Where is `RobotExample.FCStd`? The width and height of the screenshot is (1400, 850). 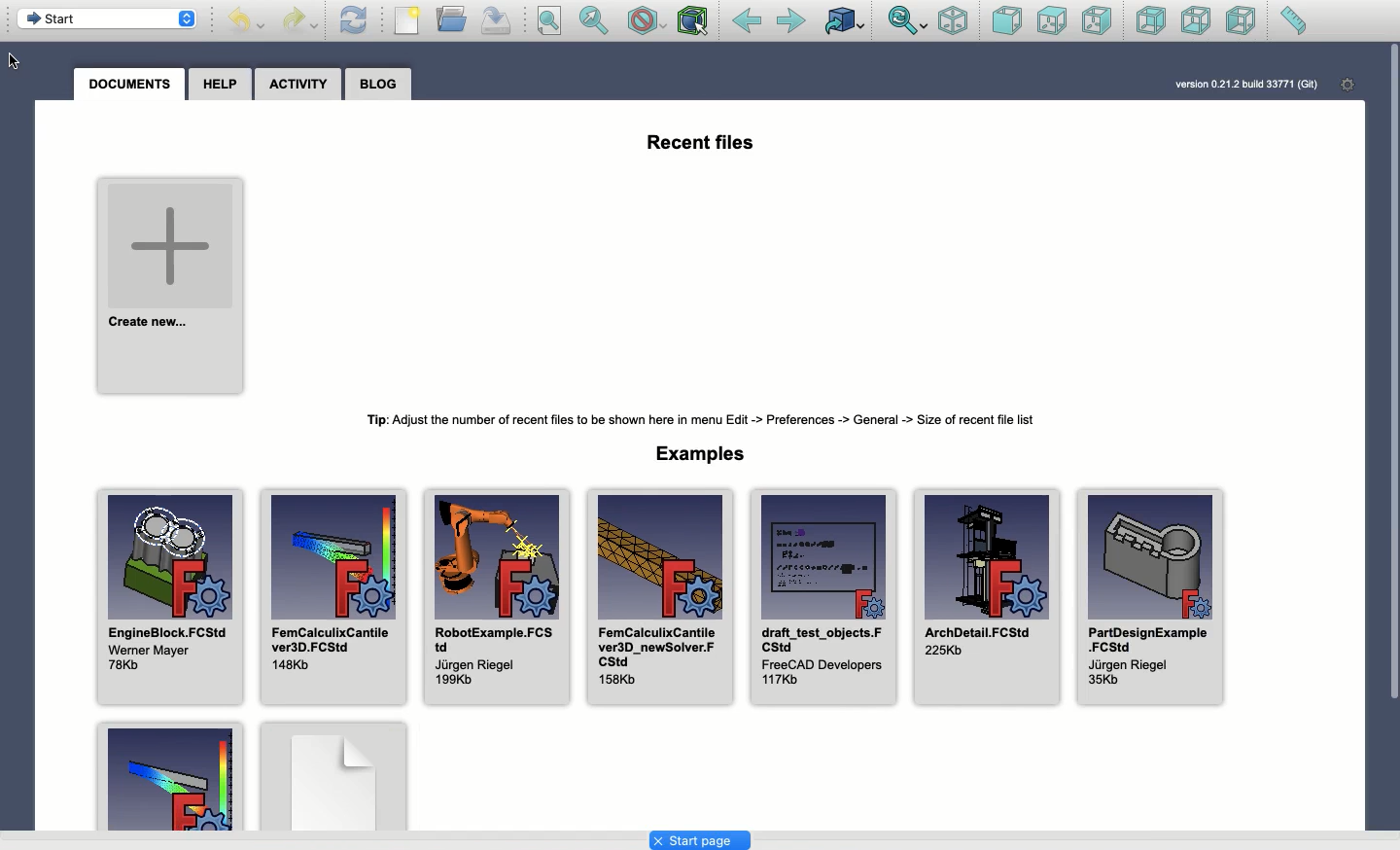
RobotExample.FCStd is located at coordinates (499, 597).